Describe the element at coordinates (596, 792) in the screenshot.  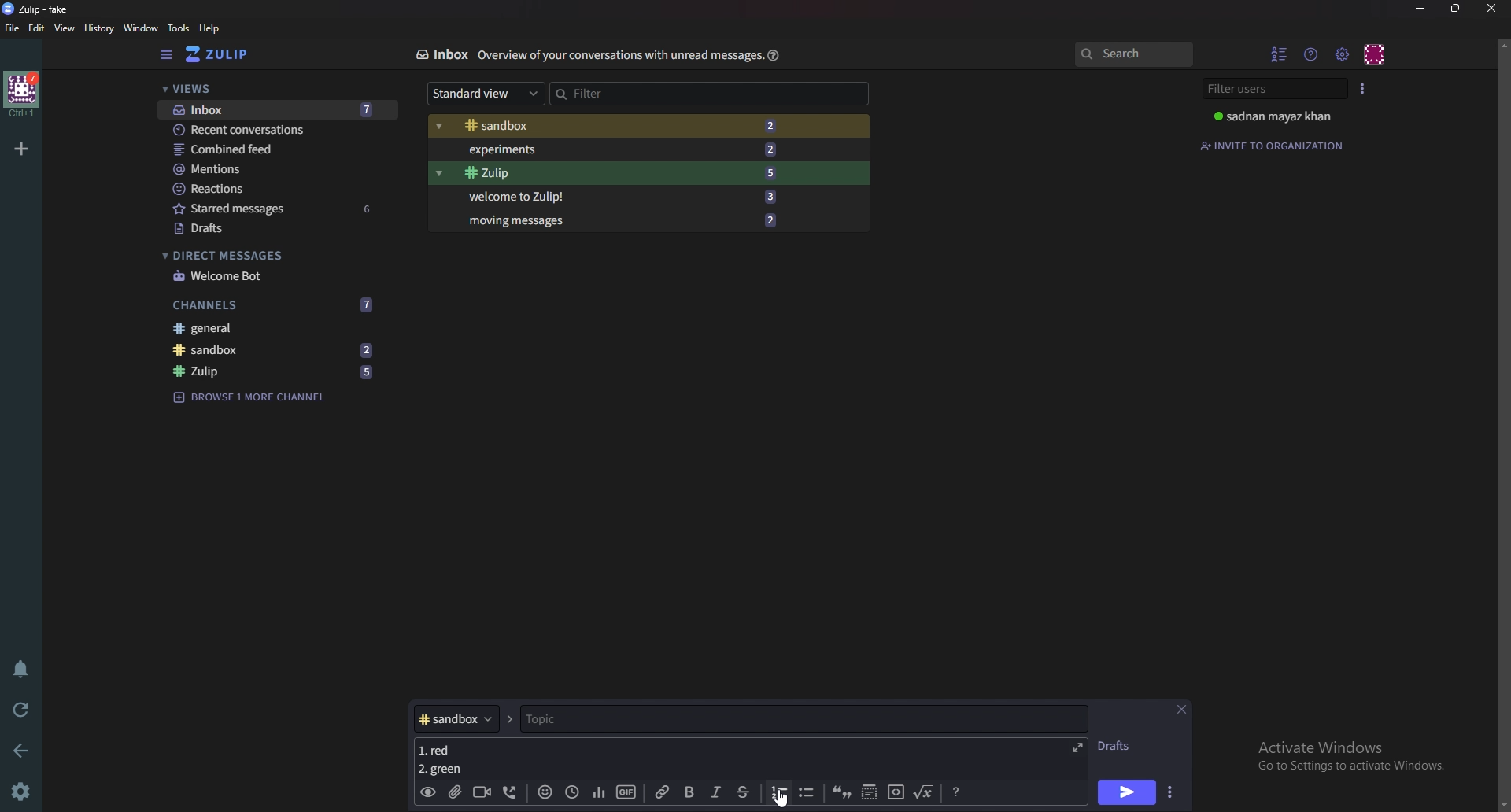
I see `poll` at that location.